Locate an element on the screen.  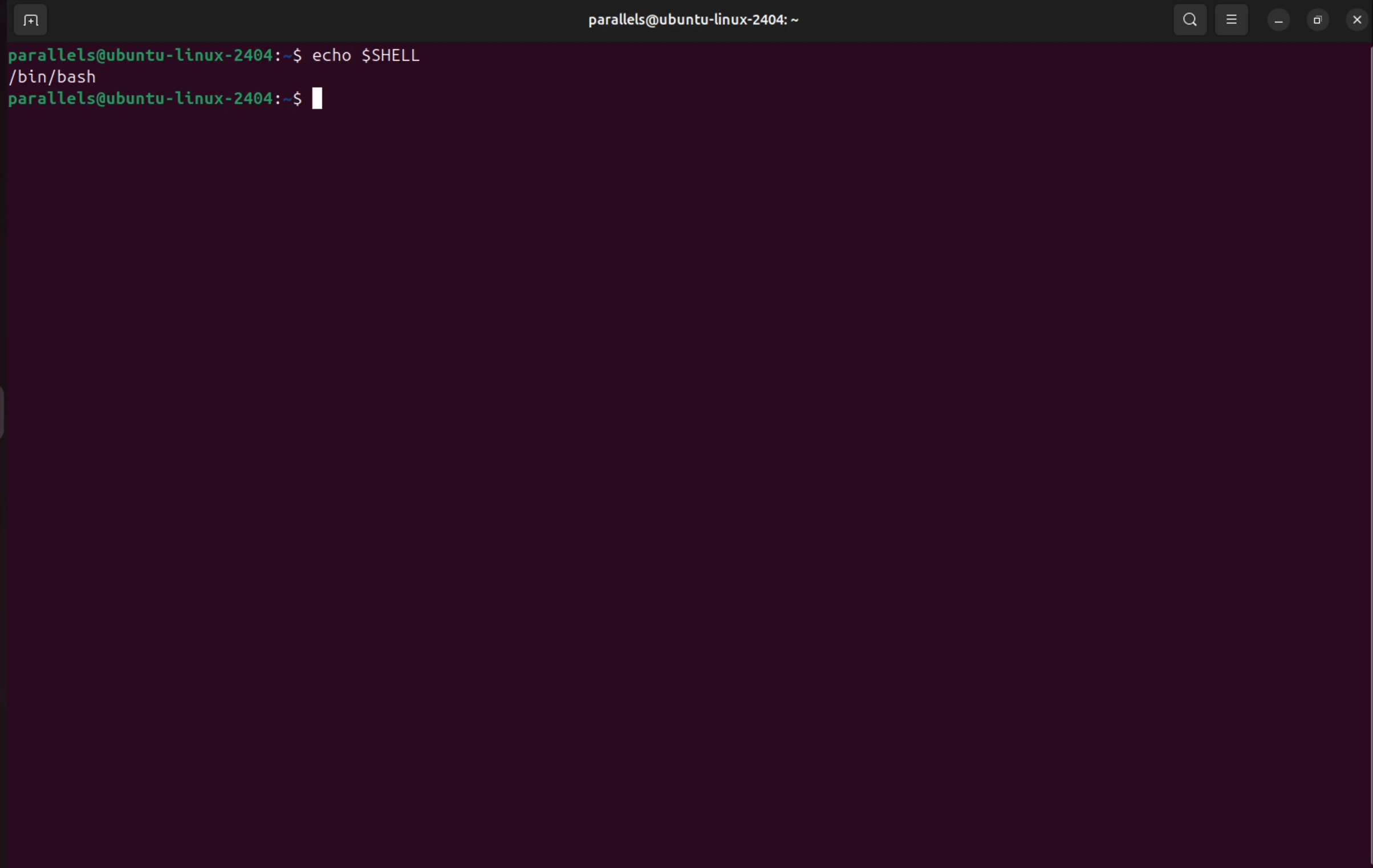
minimize is located at coordinates (1278, 21).